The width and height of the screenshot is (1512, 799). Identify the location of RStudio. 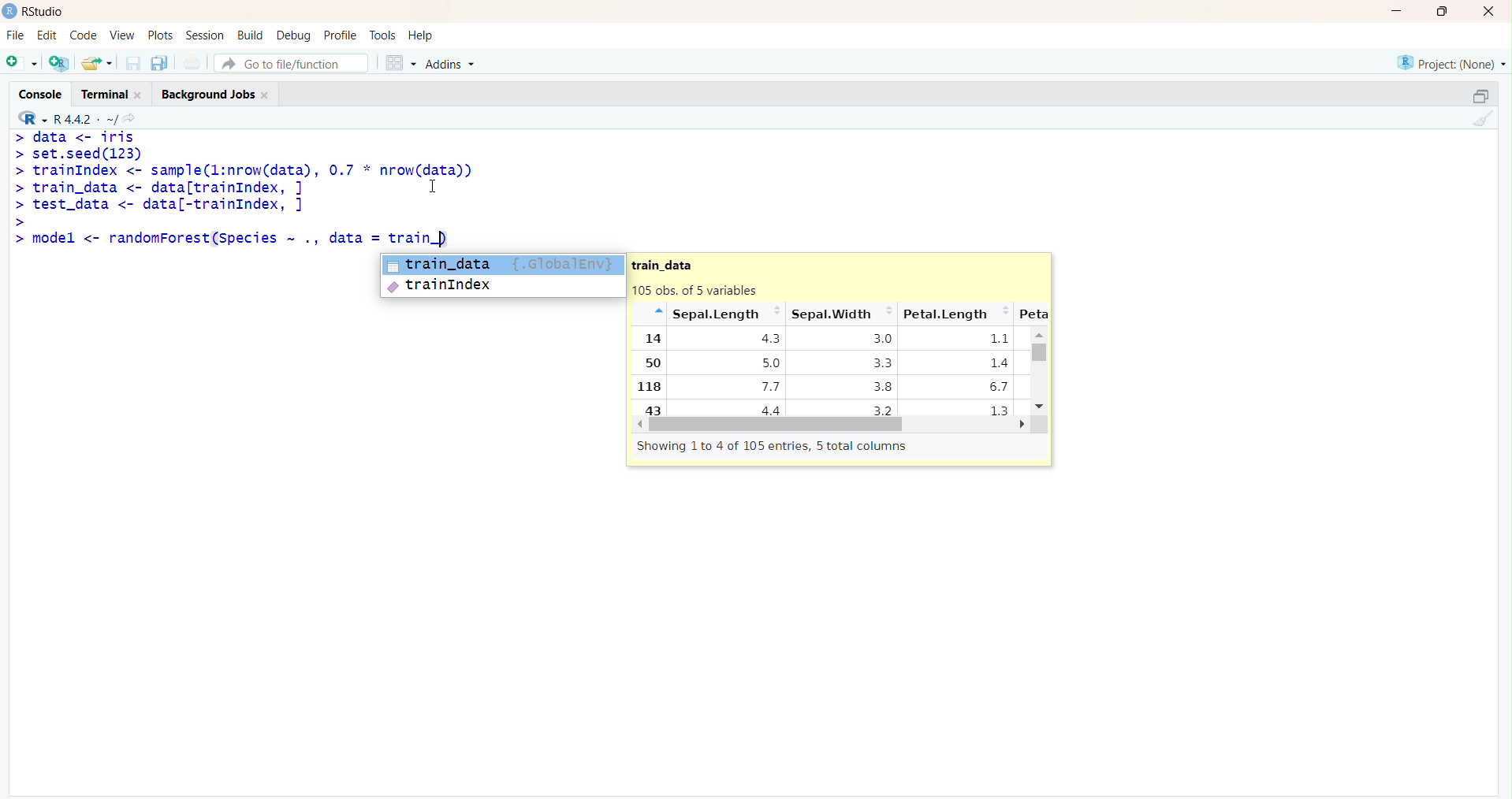
(37, 11).